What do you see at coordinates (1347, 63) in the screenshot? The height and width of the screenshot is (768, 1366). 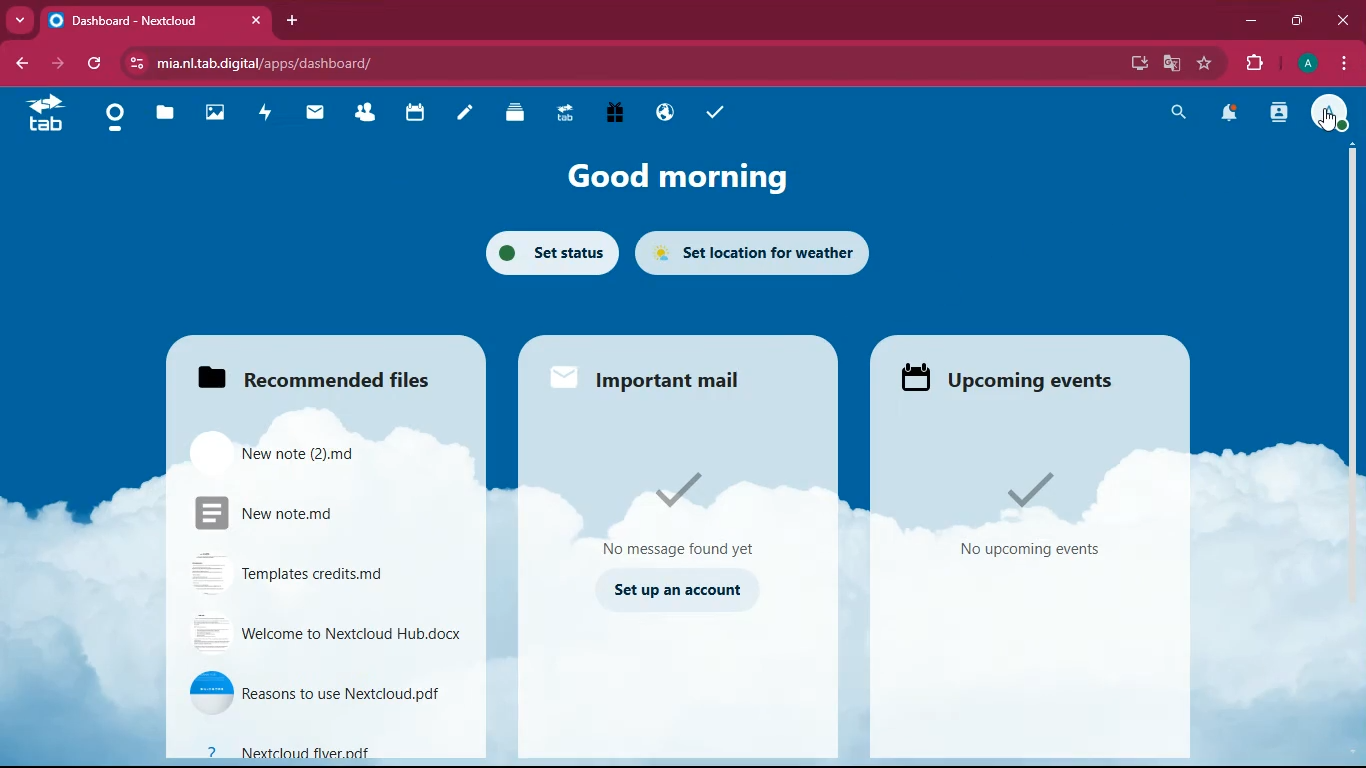 I see `menu` at bounding box center [1347, 63].